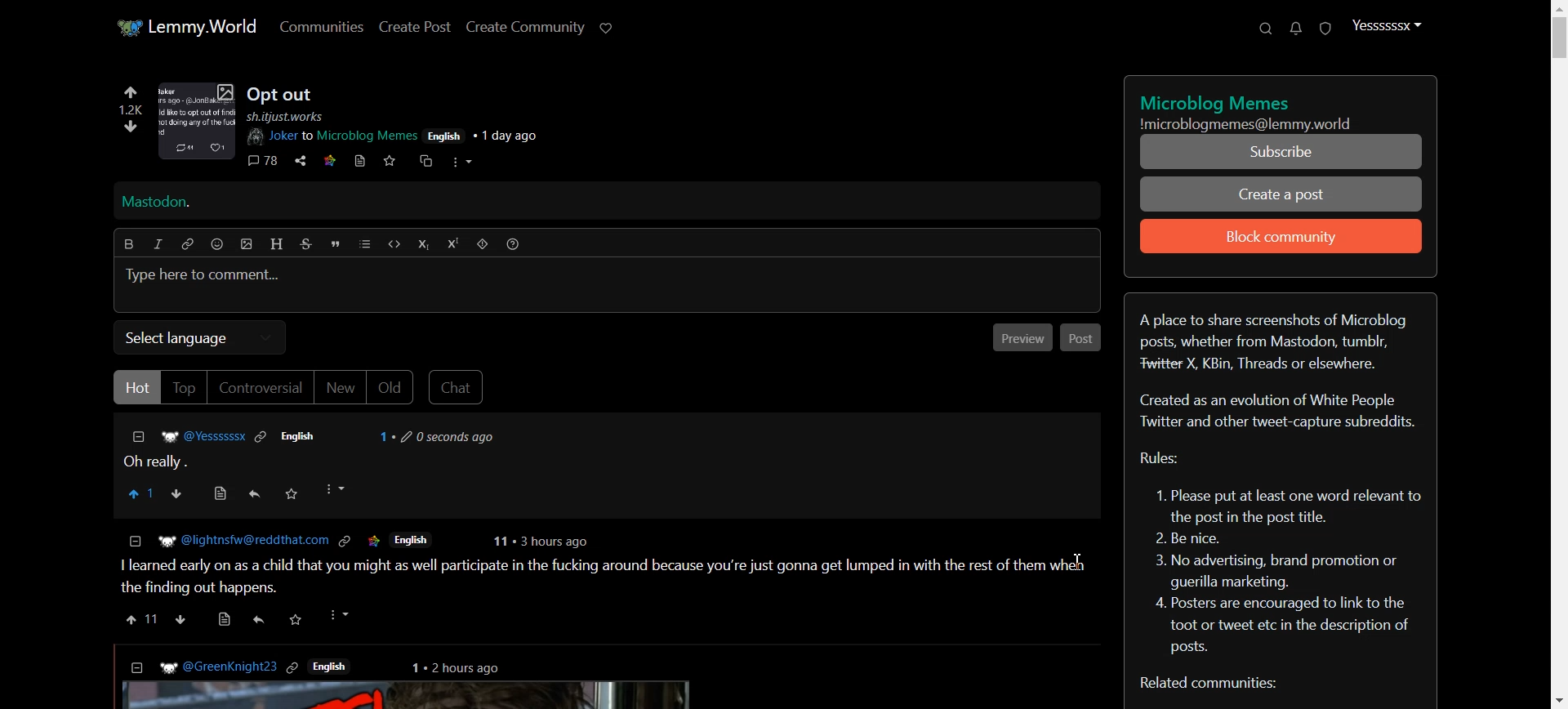 The width and height of the screenshot is (1568, 709). Describe the element at coordinates (465, 163) in the screenshot. I see `more` at that location.